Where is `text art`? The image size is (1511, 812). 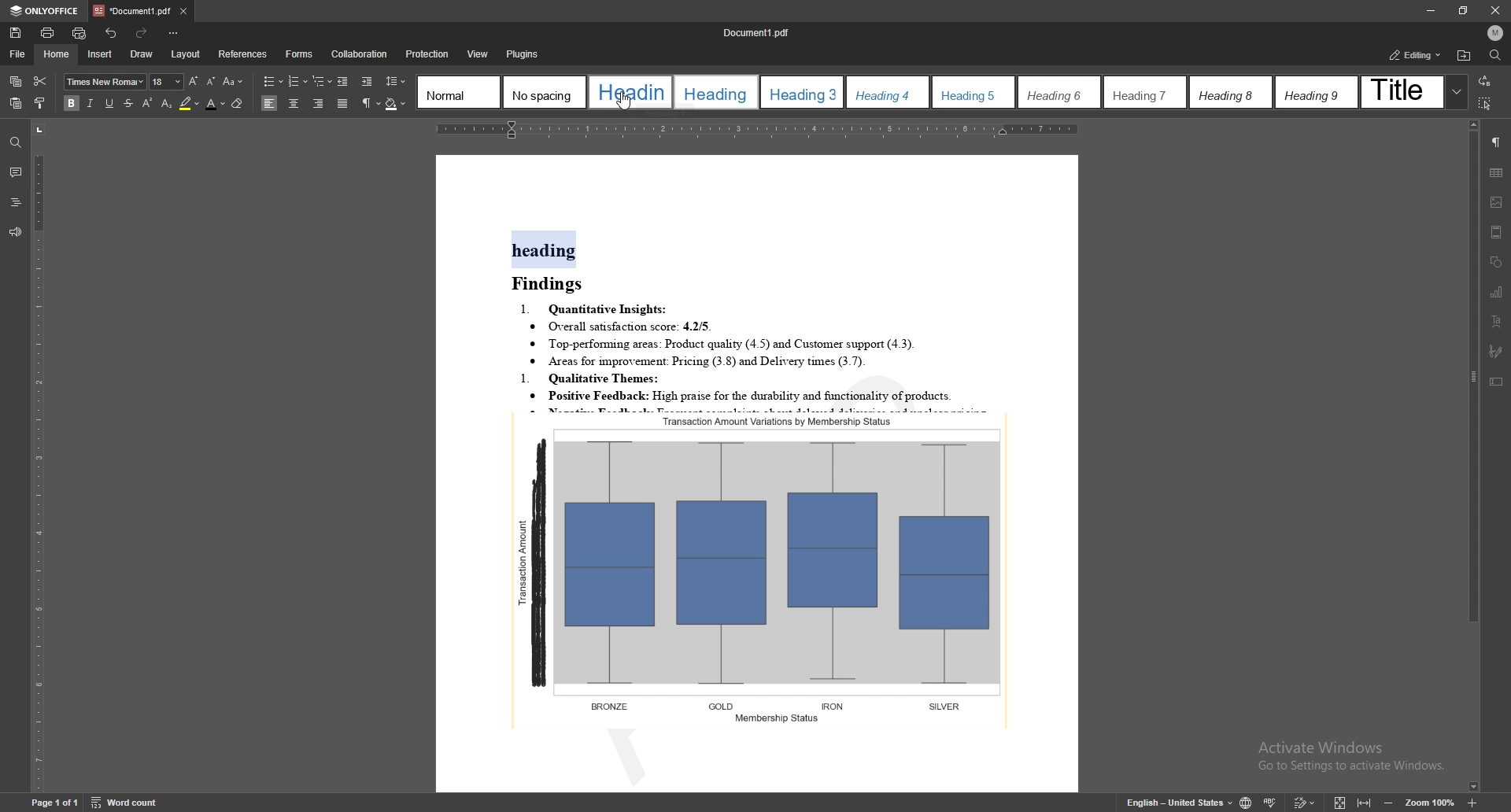
text art is located at coordinates (1496, 322).